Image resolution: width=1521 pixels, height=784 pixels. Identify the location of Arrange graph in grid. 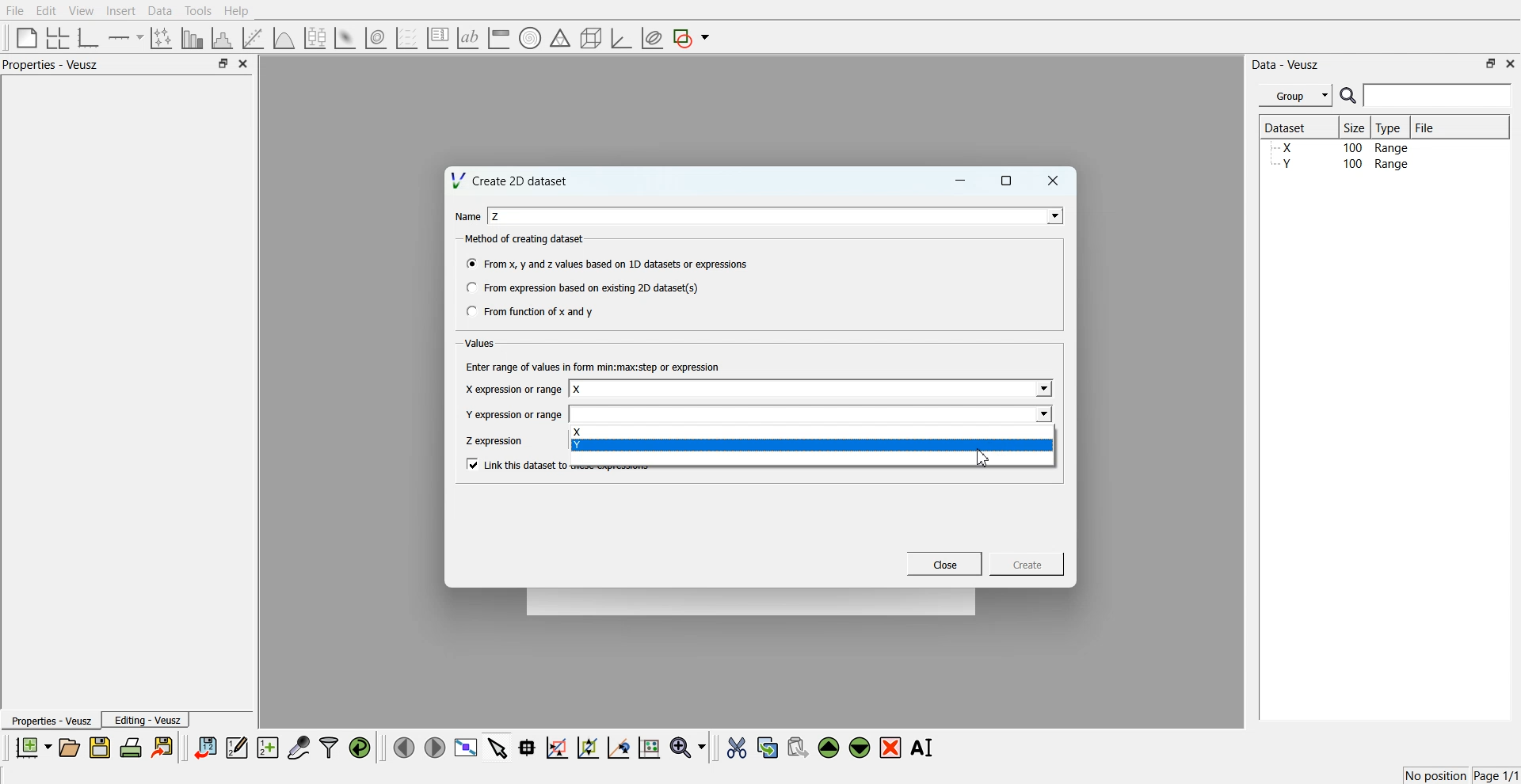
(58, 39).